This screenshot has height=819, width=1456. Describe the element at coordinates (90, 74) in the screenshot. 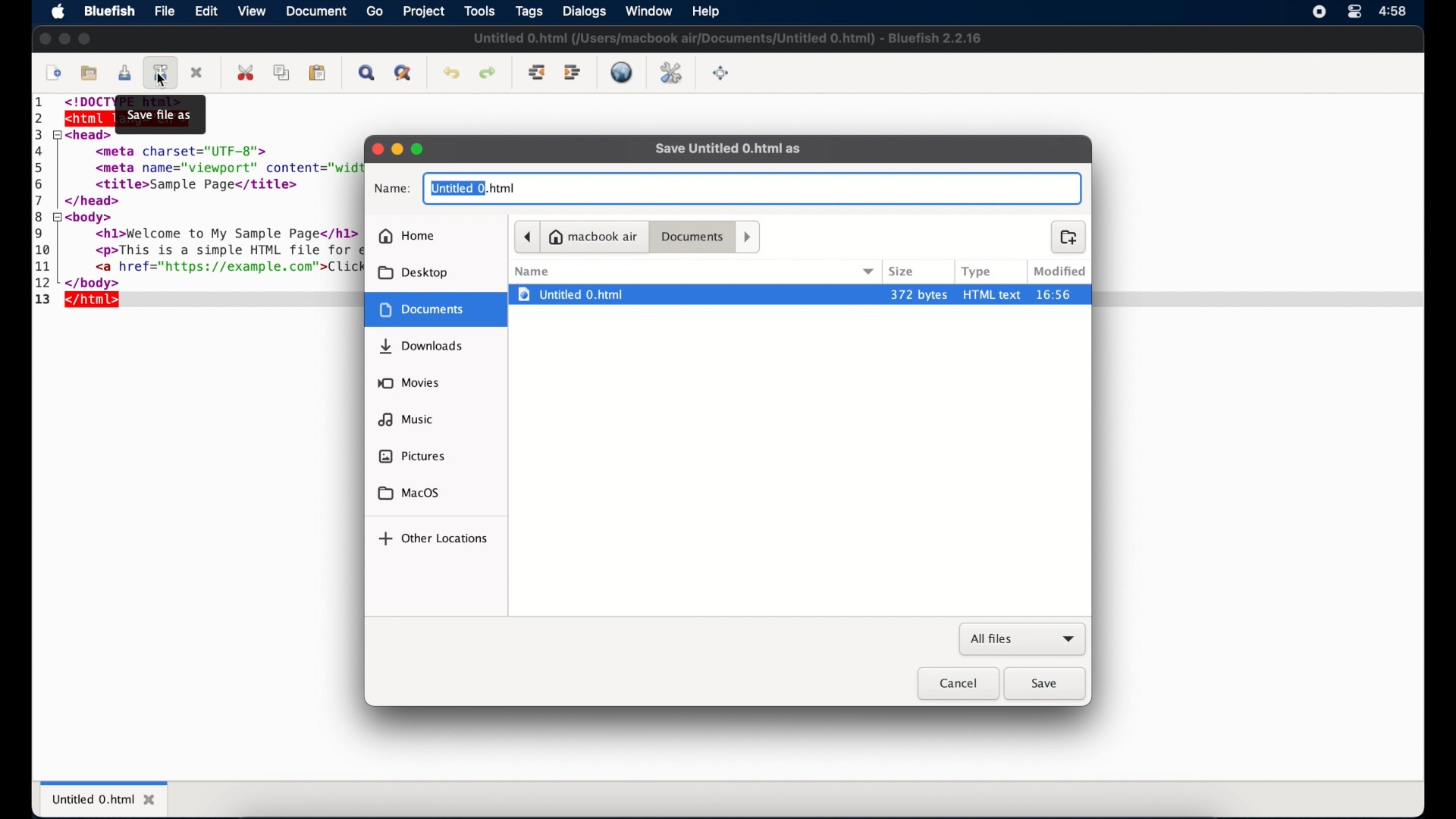

I see `open` at that location.